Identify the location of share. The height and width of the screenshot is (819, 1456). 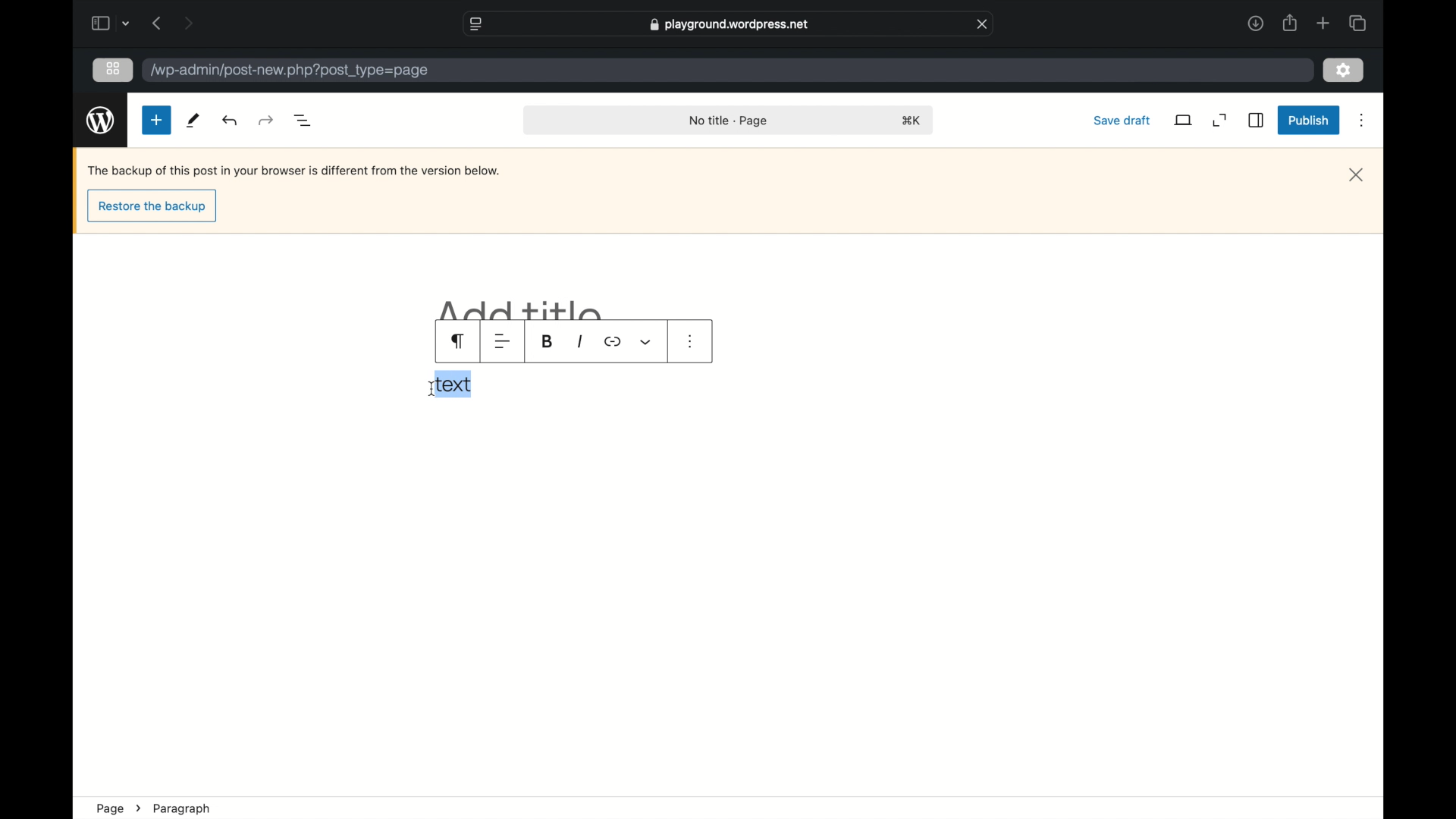
(1291, 23).